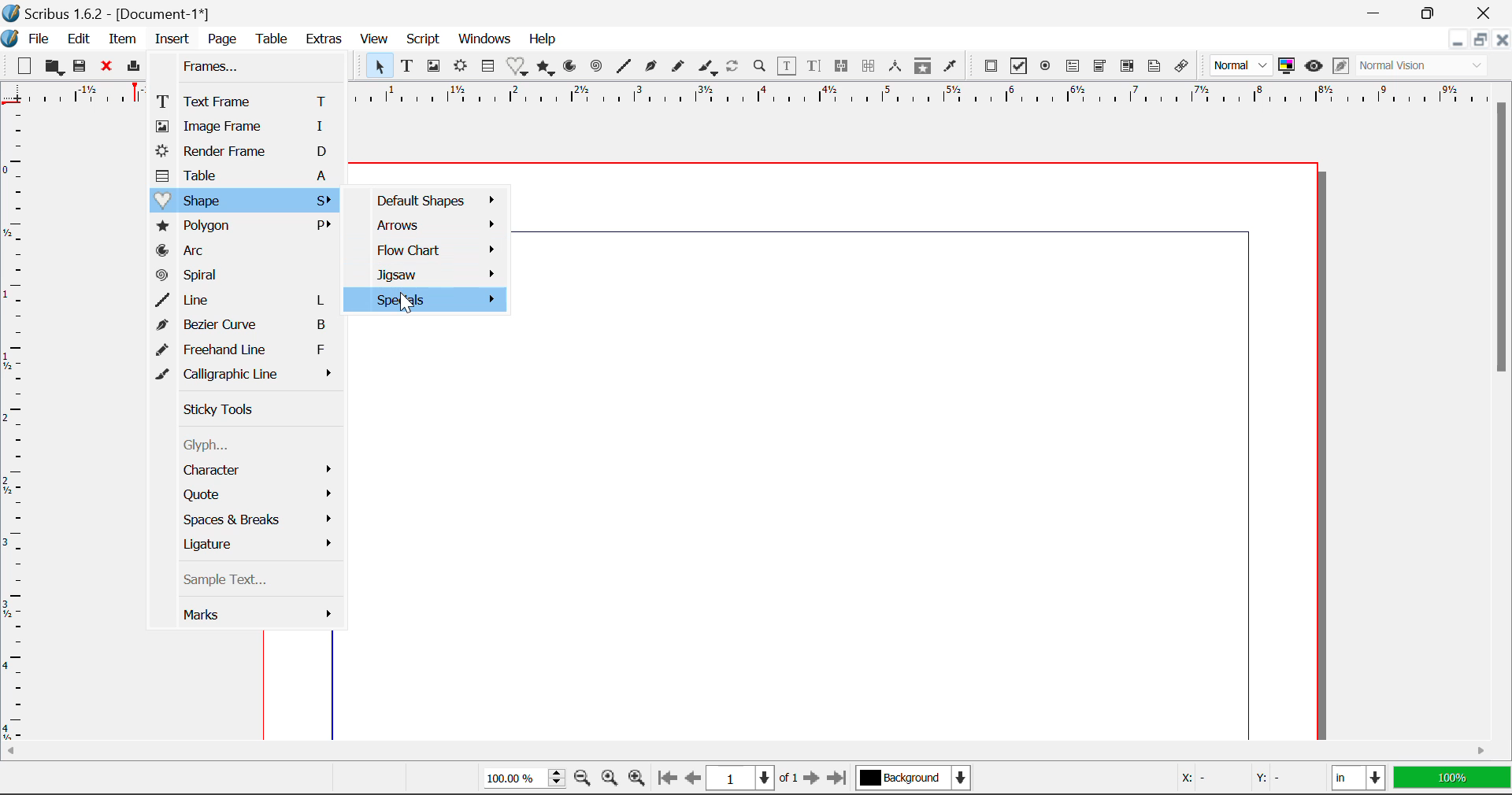 The width and height of the screenshot is (1512, 795). Describe the element at coordinates (916, 779) in the screenshot. I see `Background` at that location.